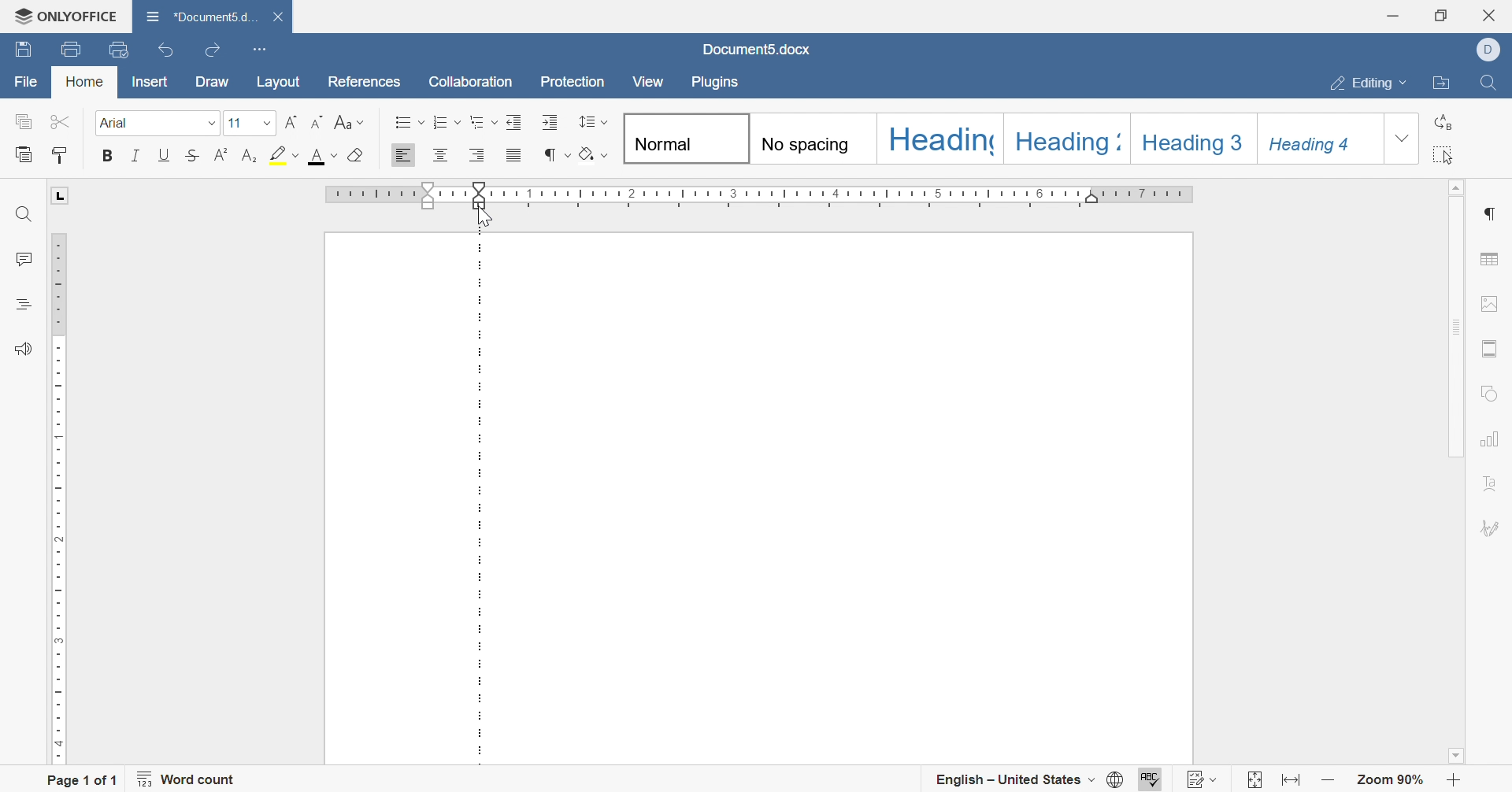 The height and width of the screenshot is (792, 1512). Describe the element at coordinates (856, 196) in the screenshot. I see `ruler` at that location.